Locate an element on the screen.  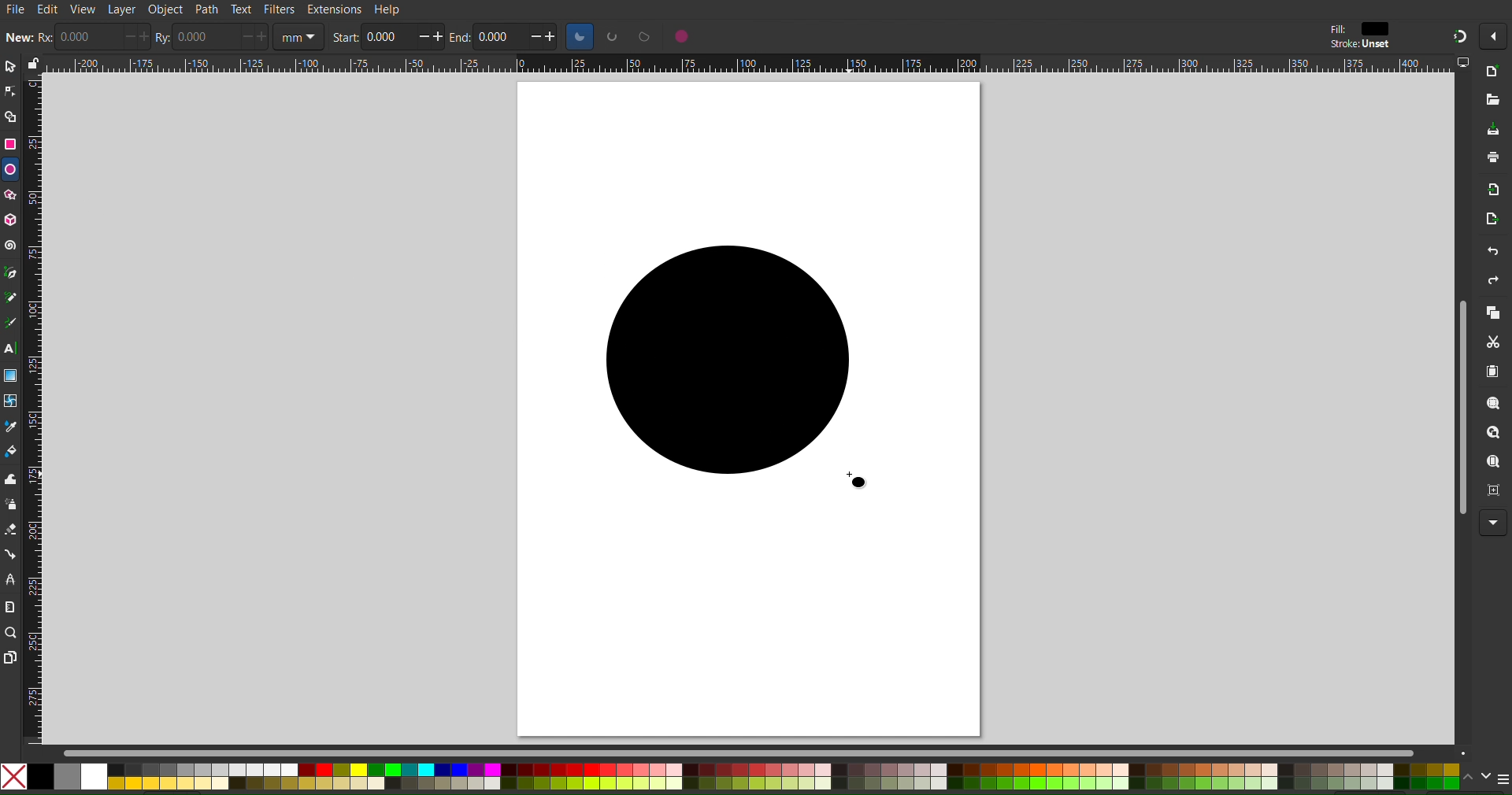
Open Export is located at coordinates (1495, 217).